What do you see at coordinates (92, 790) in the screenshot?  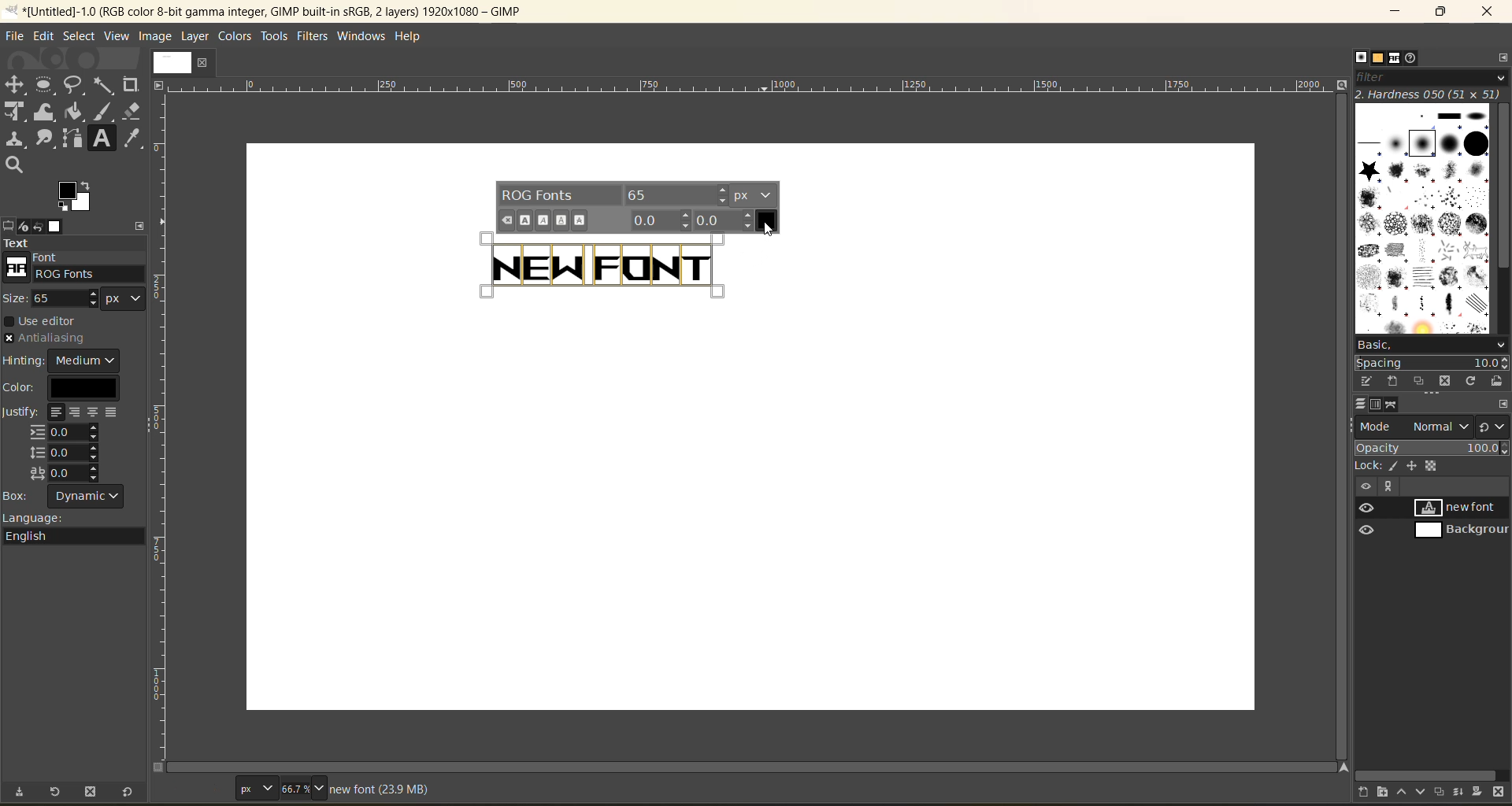 I see `delete tool preset` at bounding box center [92, 790].